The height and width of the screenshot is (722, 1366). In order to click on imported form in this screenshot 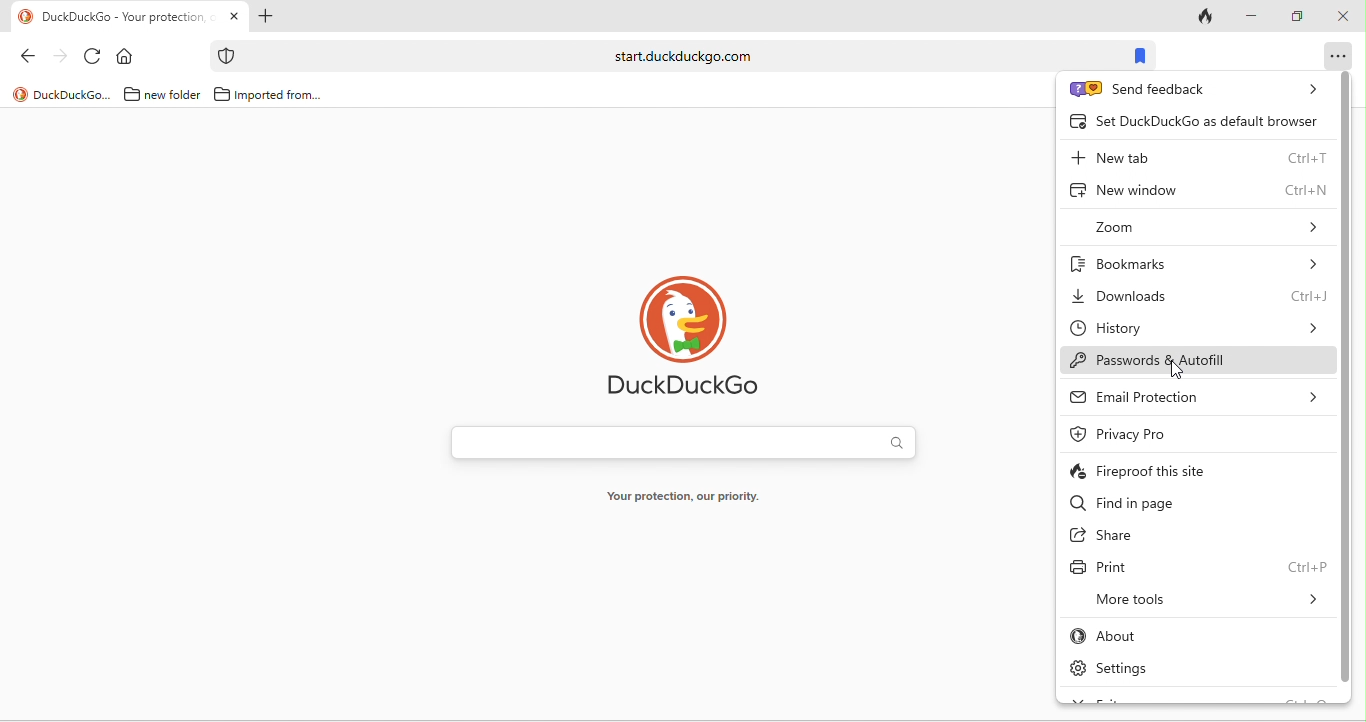, I will do `click(270, 95)`.